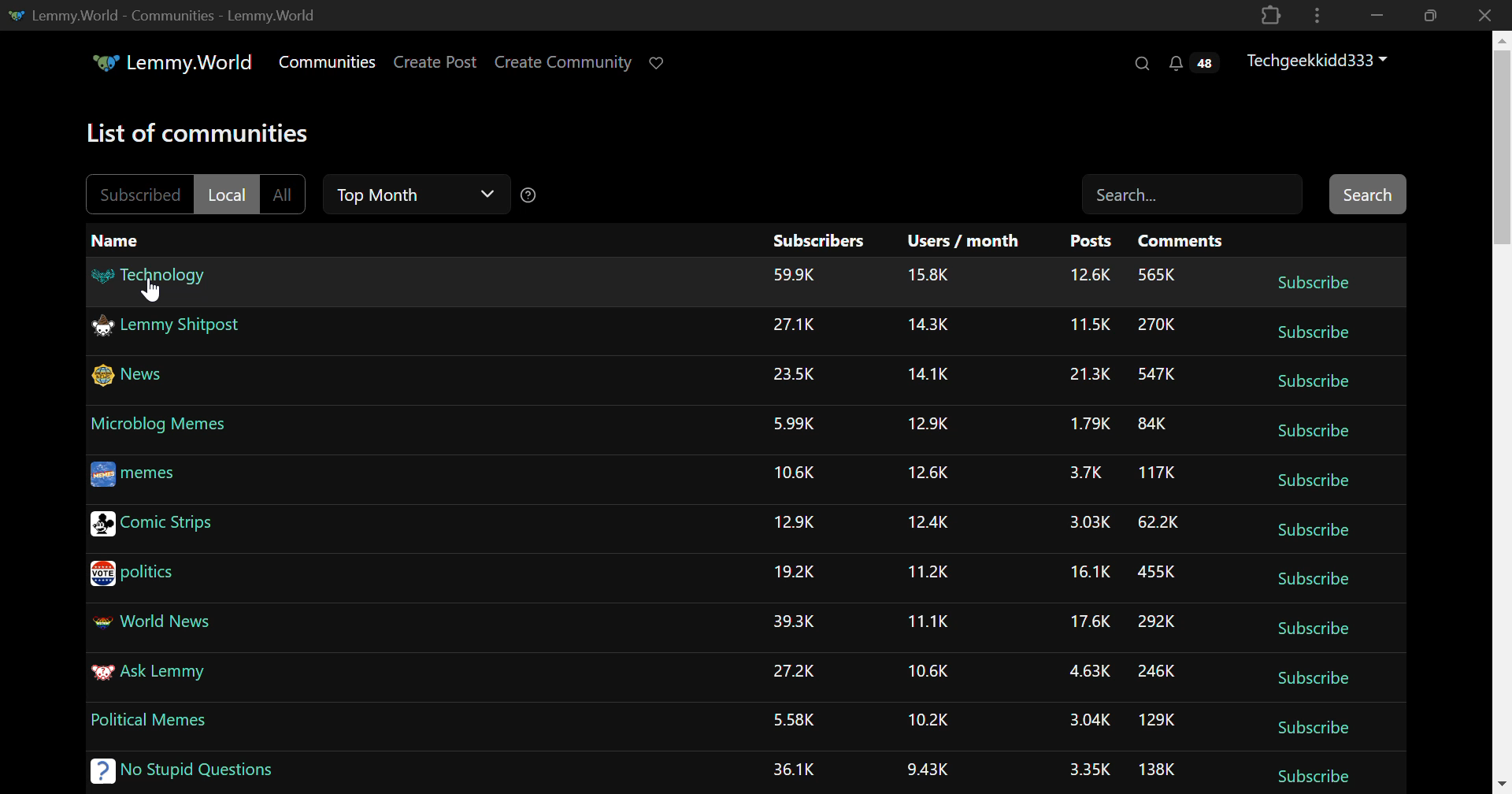 The height and width of the screenshot is (794, 1512). What do you see at coordinates (1088, 720) in the screenshot?
I see `3.04K` at bounding box center [1088, 720].